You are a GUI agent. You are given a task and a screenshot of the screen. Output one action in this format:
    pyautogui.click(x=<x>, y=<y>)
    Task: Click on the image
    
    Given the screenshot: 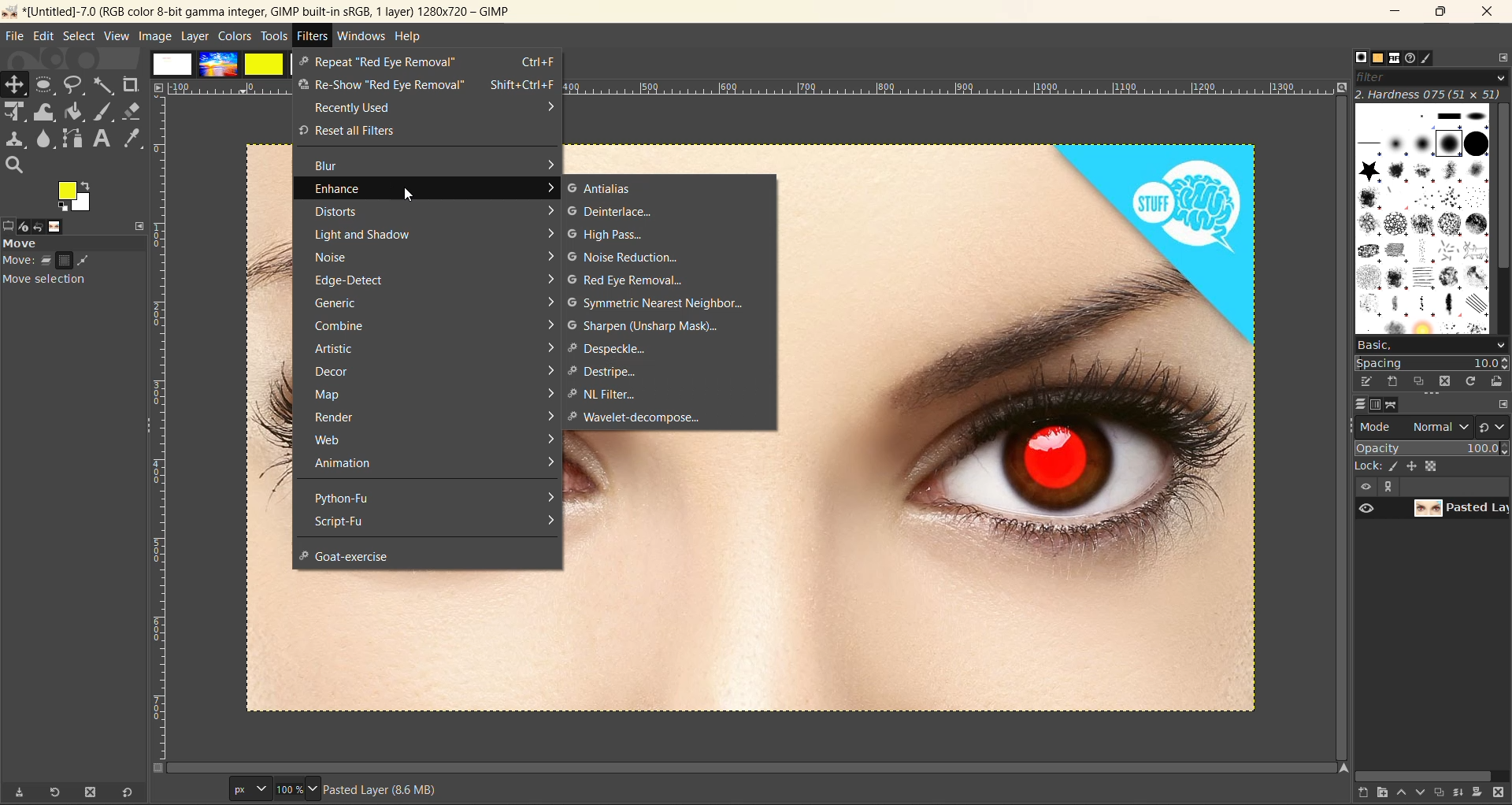 What is the action you would take?
    pyautogui.click(x=152, y=36)
    